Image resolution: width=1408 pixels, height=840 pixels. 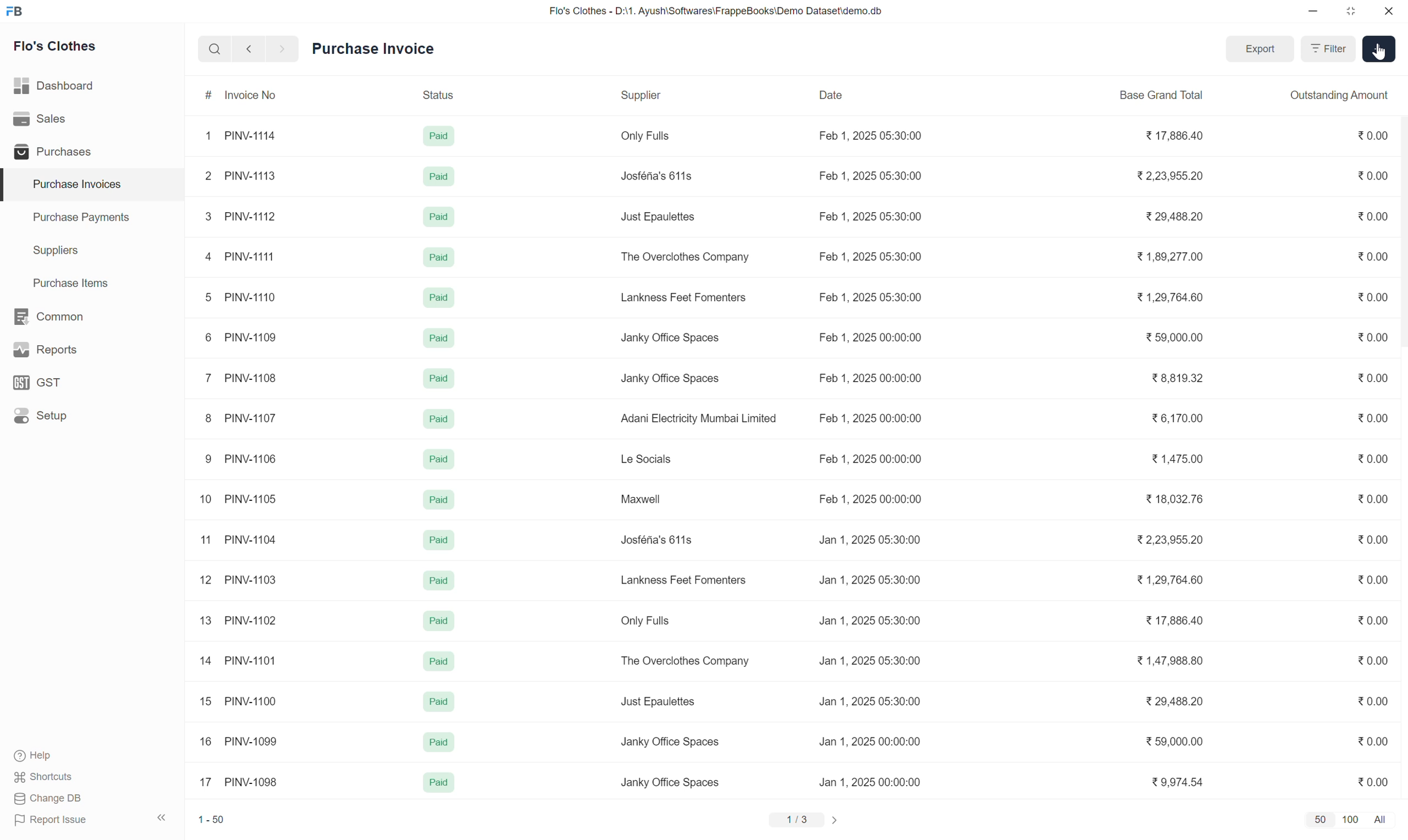 I want to click on 0.00, so click(x=1371, y=782).